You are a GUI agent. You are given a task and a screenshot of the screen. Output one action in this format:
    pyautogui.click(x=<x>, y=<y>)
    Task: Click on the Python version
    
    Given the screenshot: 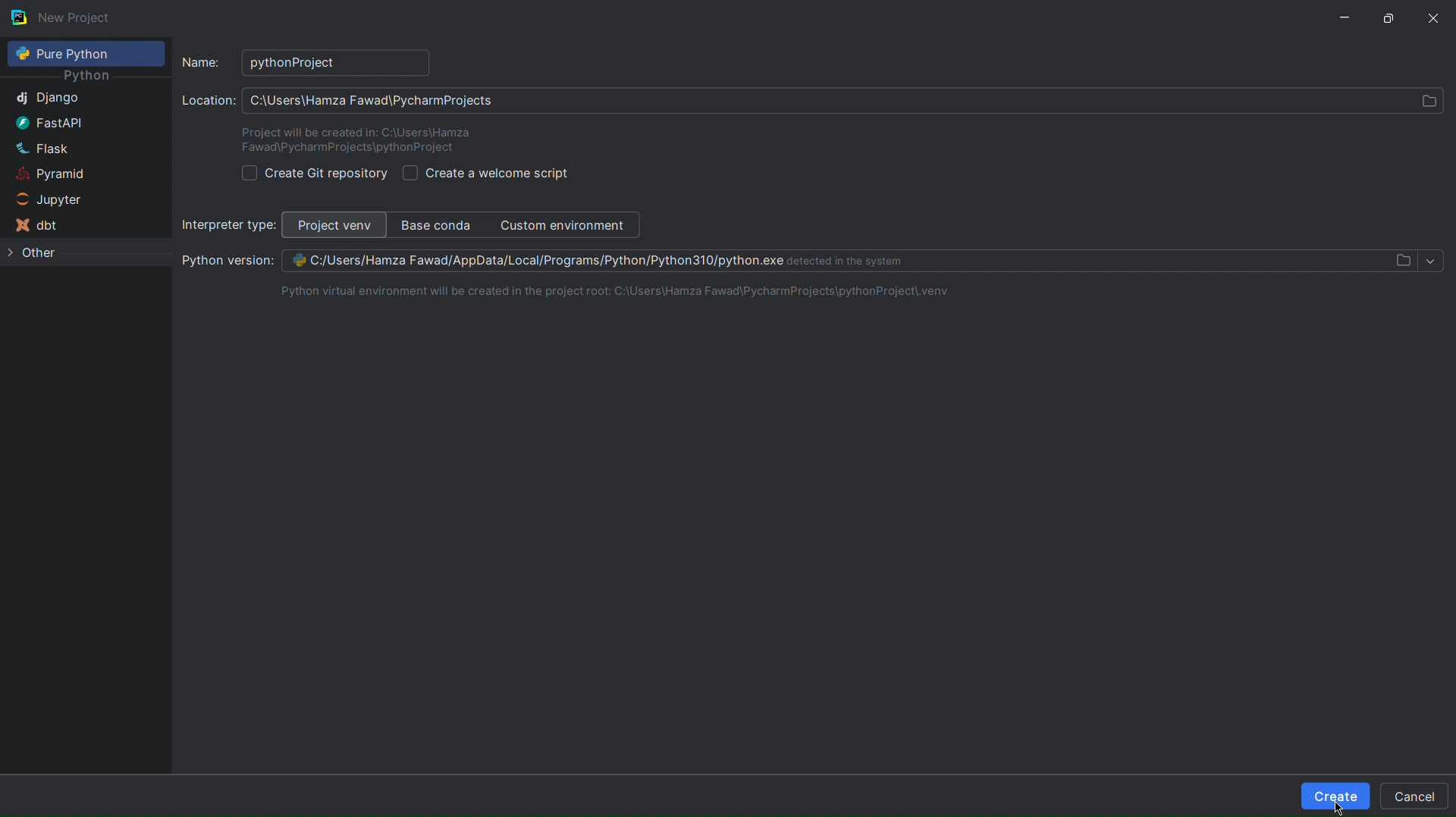 What is the action you would take?
    pyautogui.click(x=227, y=261)
    